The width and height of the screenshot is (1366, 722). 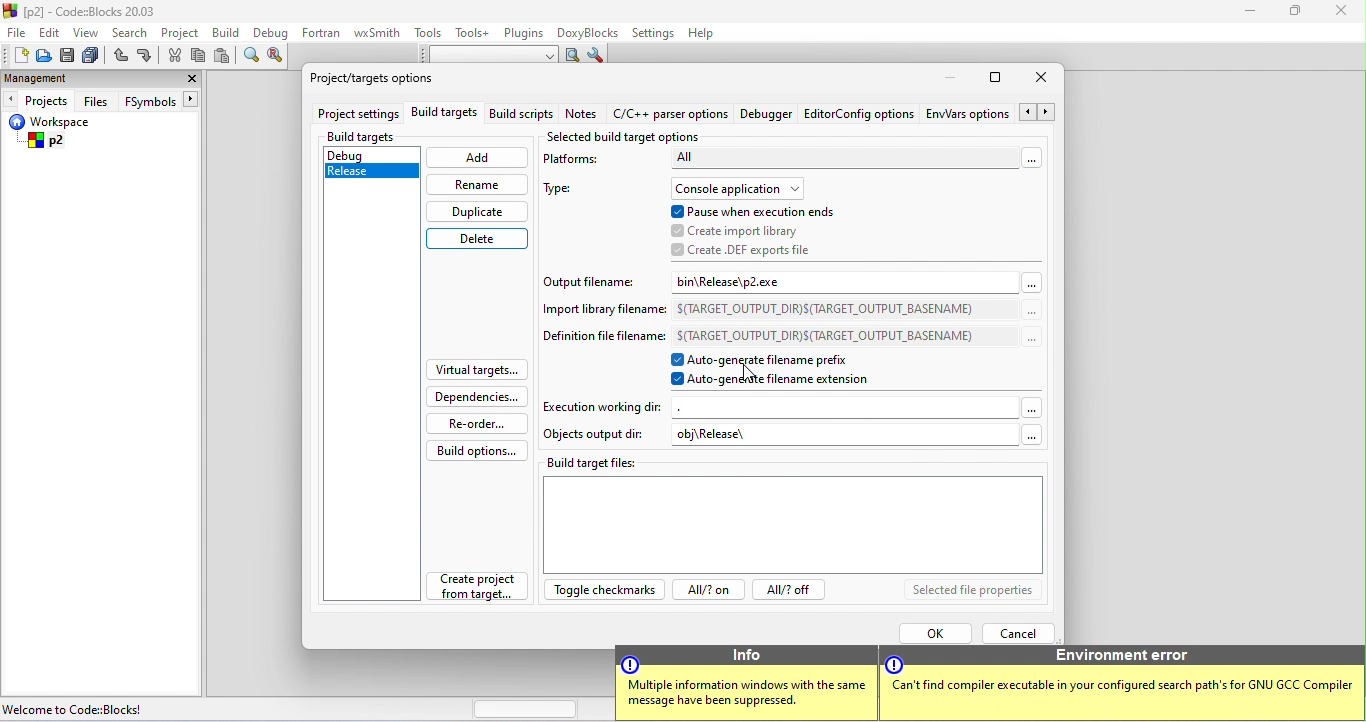 I want to click on pause when execution ends, so click(x=763, y=210).